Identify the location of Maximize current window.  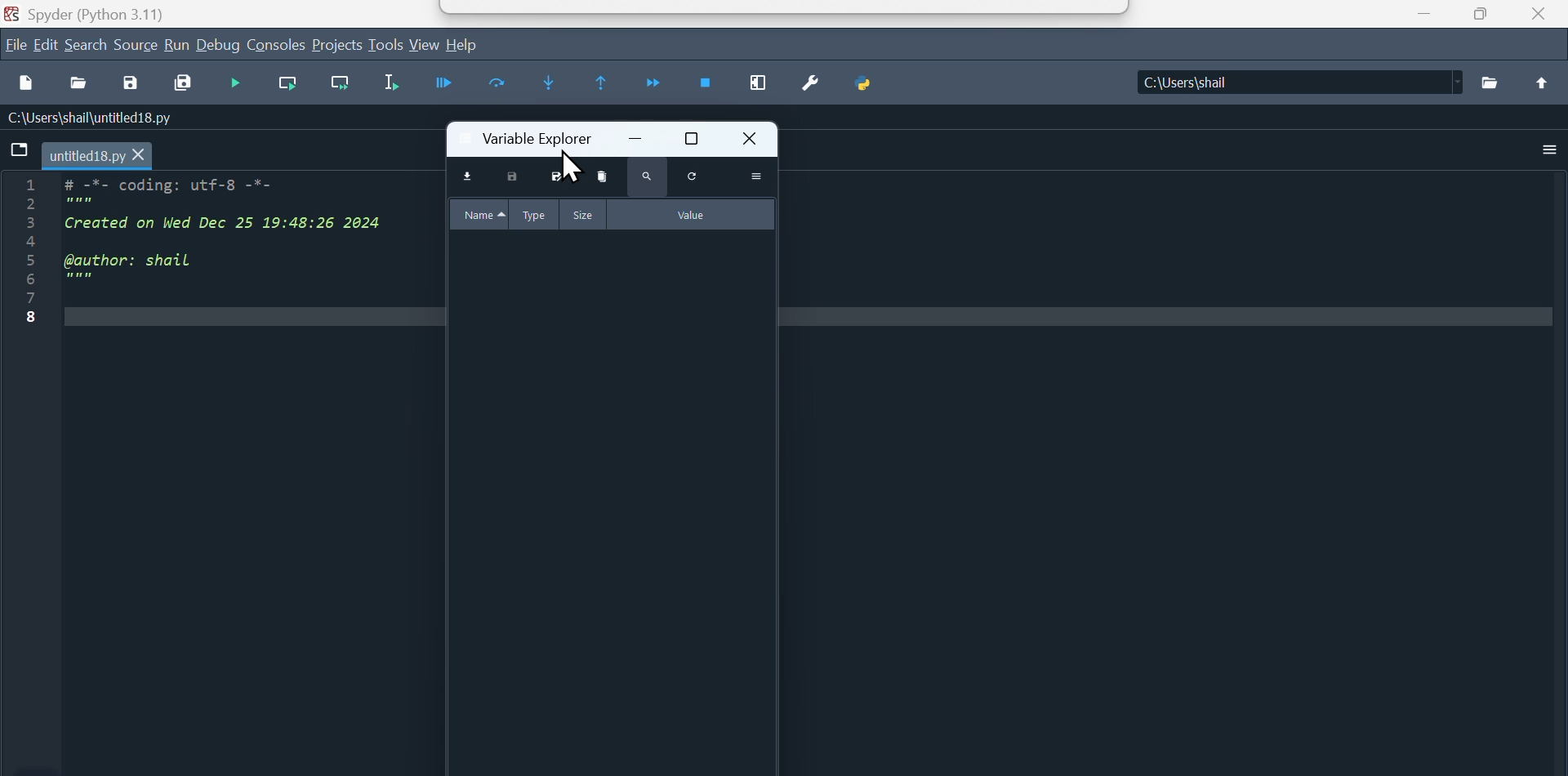
(757, 87).